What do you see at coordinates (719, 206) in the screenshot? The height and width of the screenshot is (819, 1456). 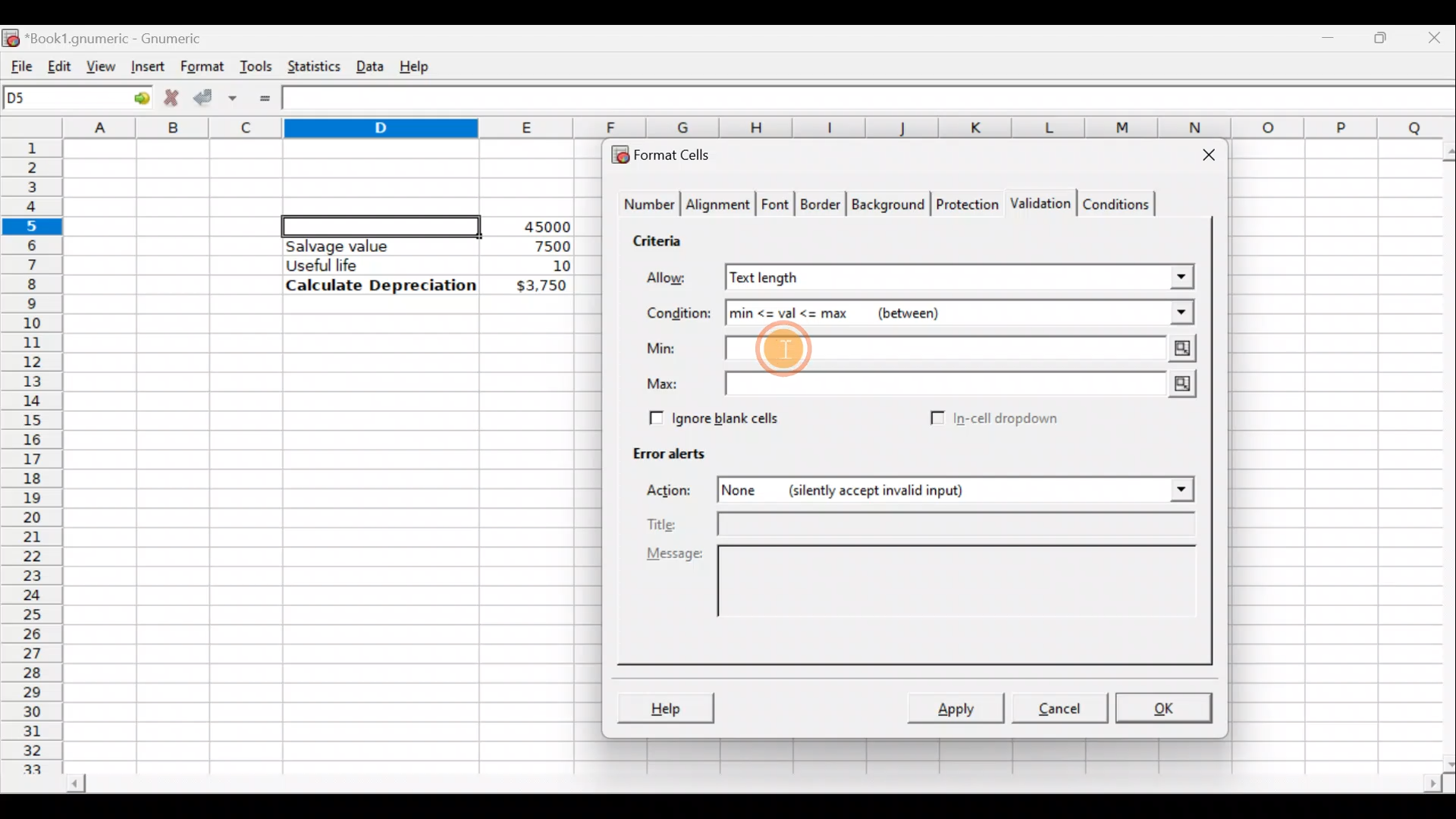 I see `Alignment` at bounding box center [719, 206].